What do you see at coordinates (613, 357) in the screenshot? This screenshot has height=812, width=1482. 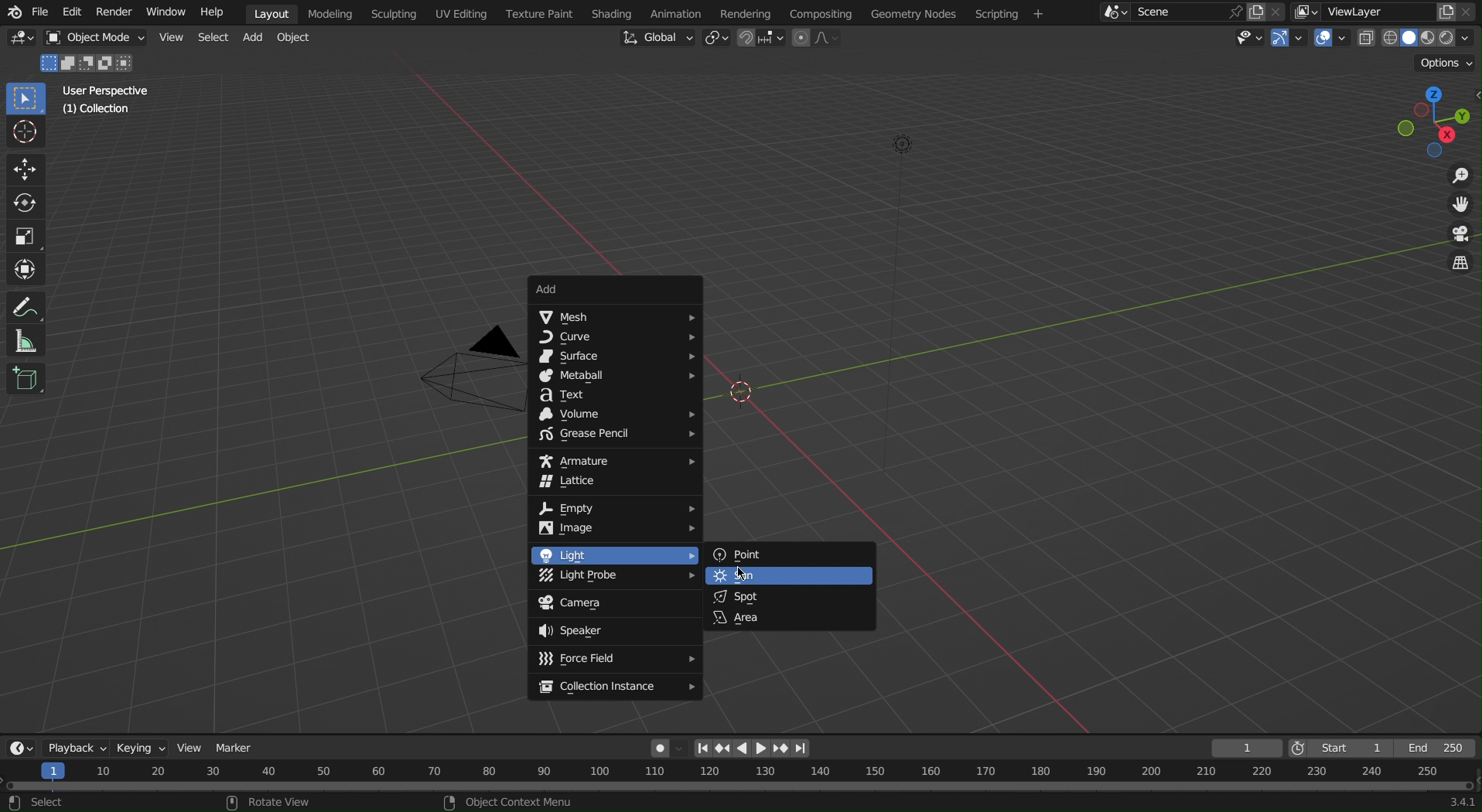 I see `Surface` at bounding box center [613, 357].